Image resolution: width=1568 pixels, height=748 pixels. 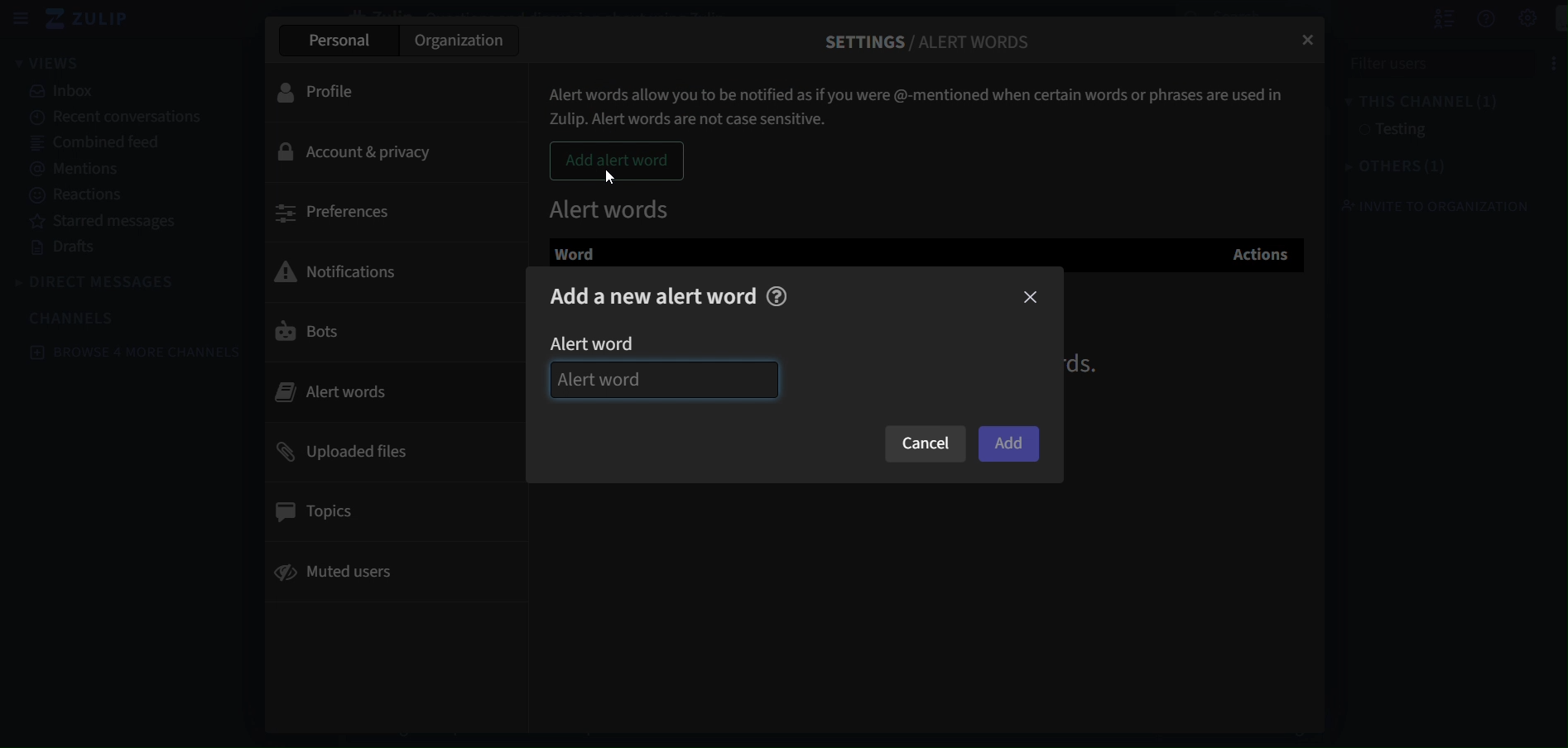 I want to click on close, so click(x=1311, y=41).